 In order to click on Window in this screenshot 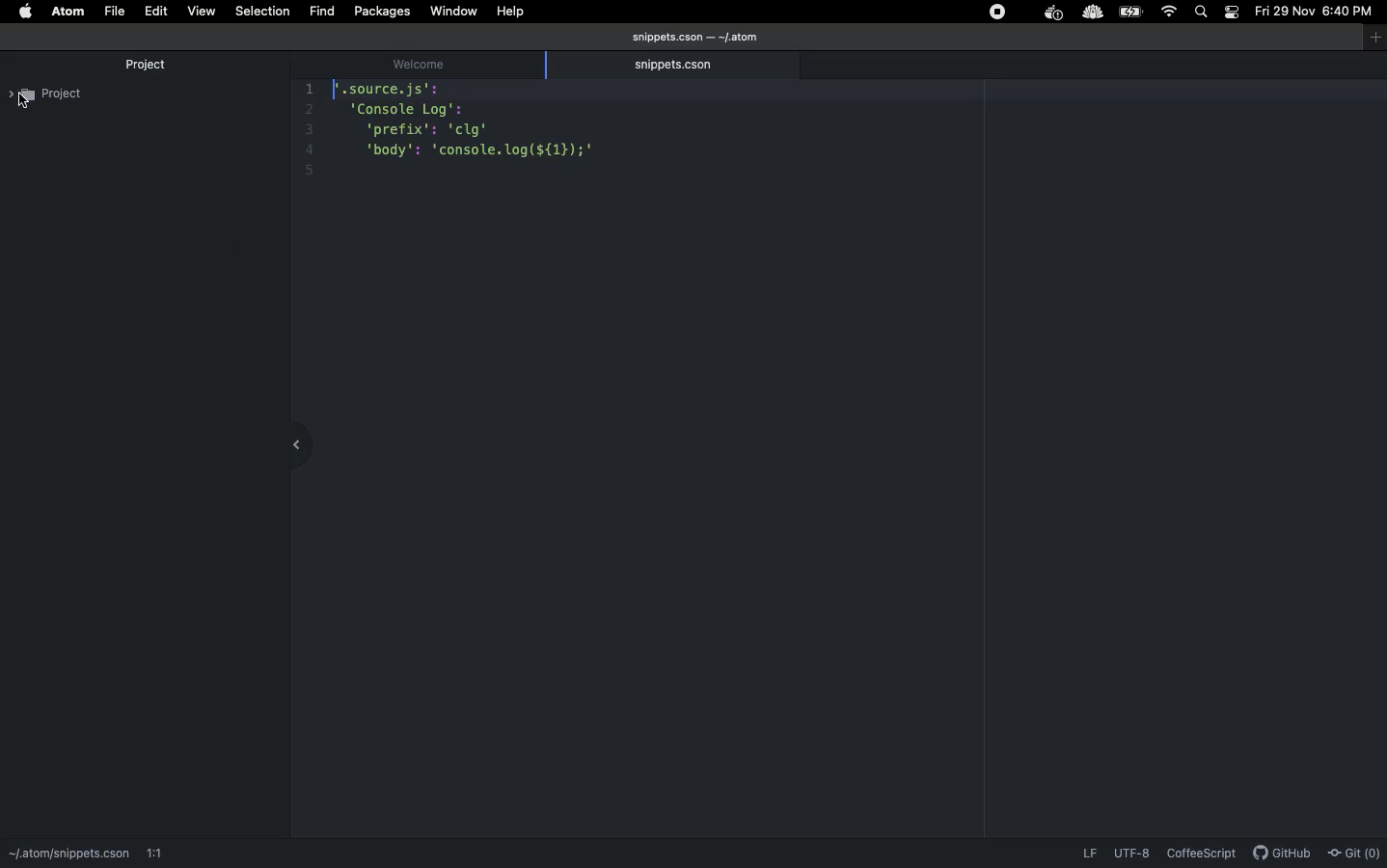, I will do `click(457, 12)`.